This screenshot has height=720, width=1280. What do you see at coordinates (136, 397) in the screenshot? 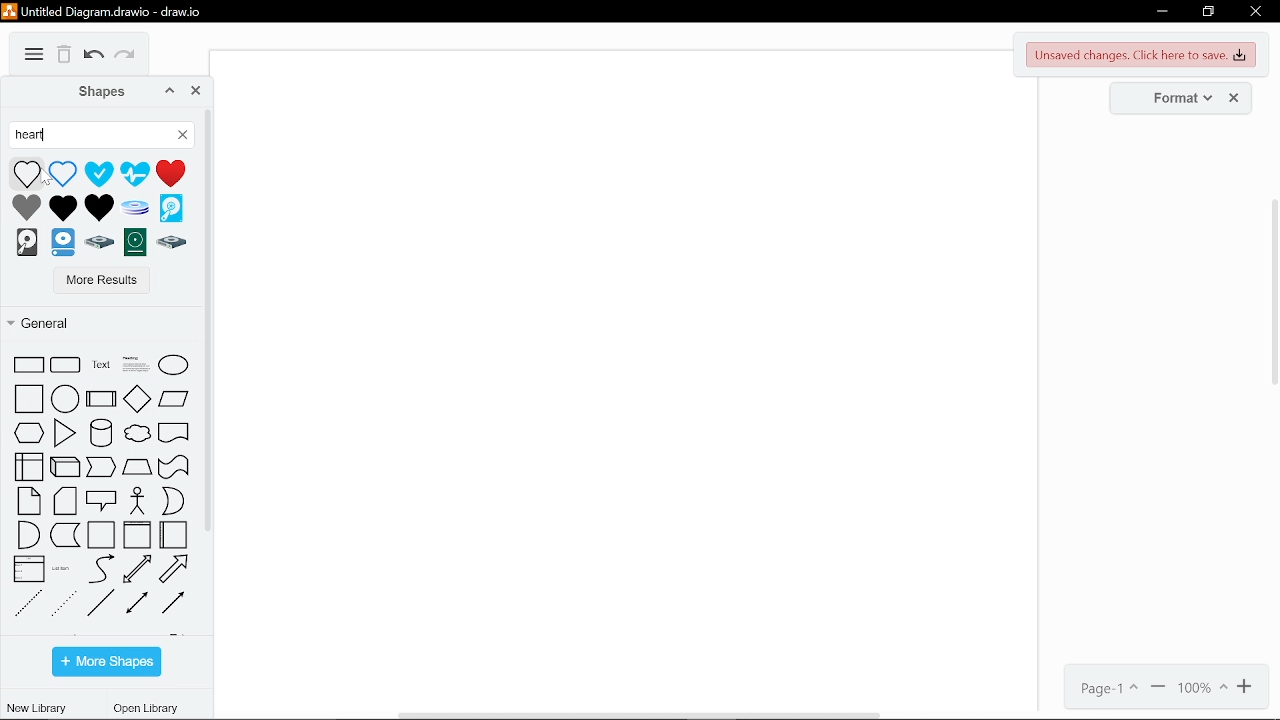
I see `diamond` at bounding box center [136, 397].